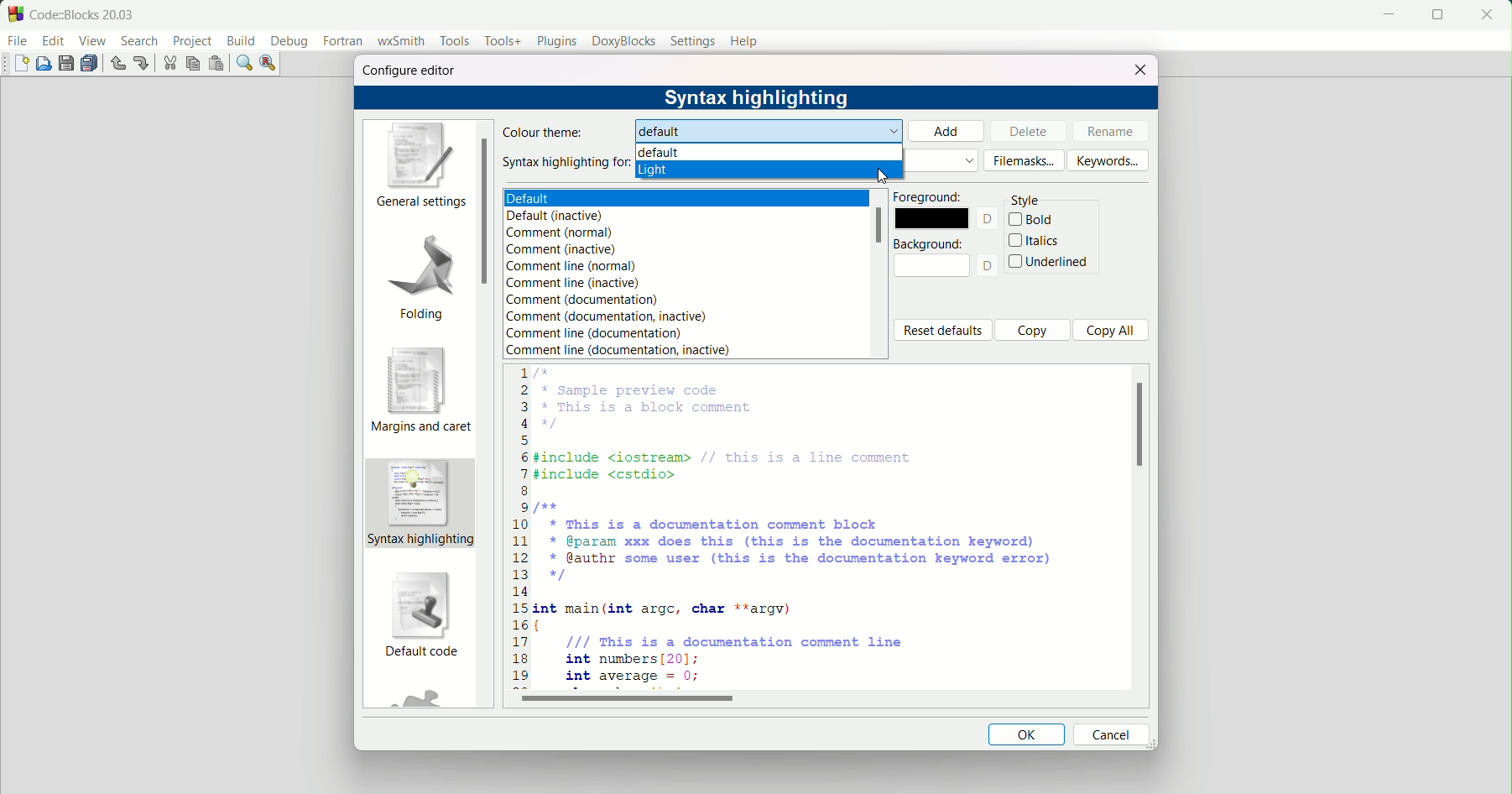 The height and width of the screenshot is (794, 1512). What do you see at coordinates (942, 331) in the screenshot?
I see `reset defaults` at bounding box center [942, 331].